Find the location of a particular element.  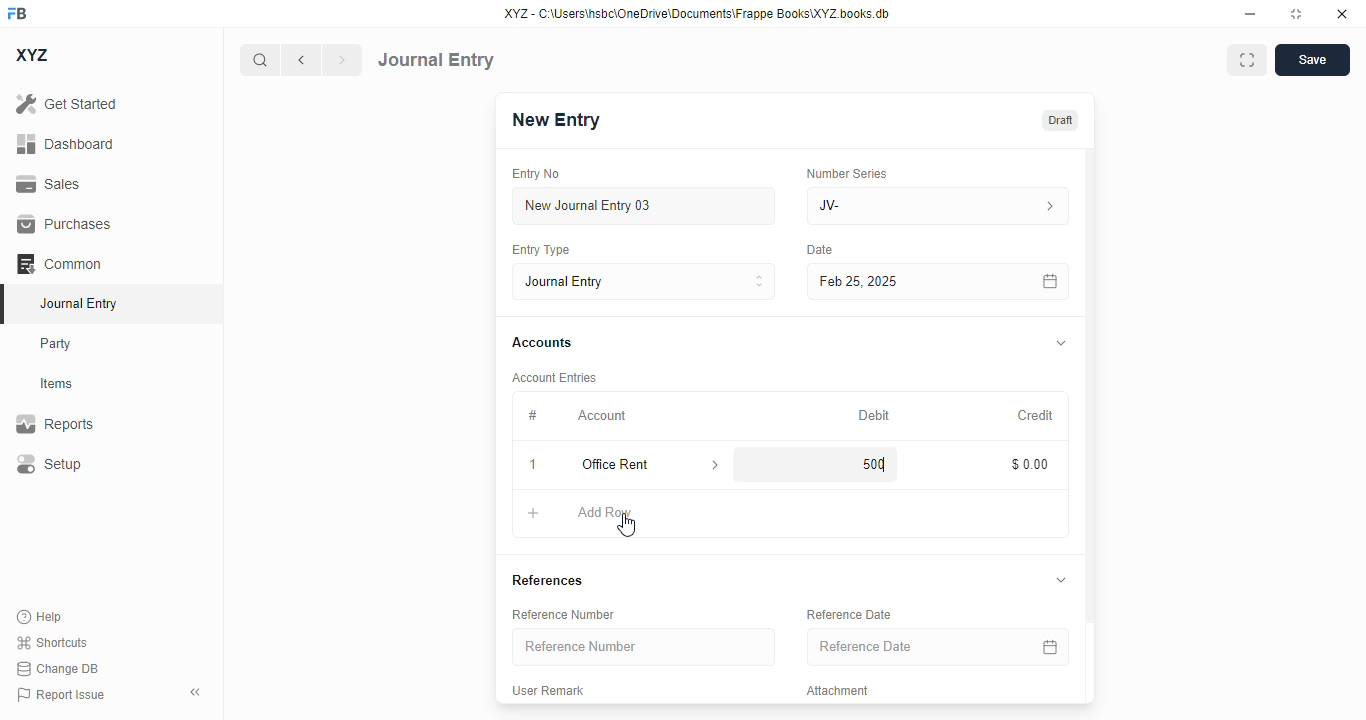

JV- is located at coordinates (894, 206).